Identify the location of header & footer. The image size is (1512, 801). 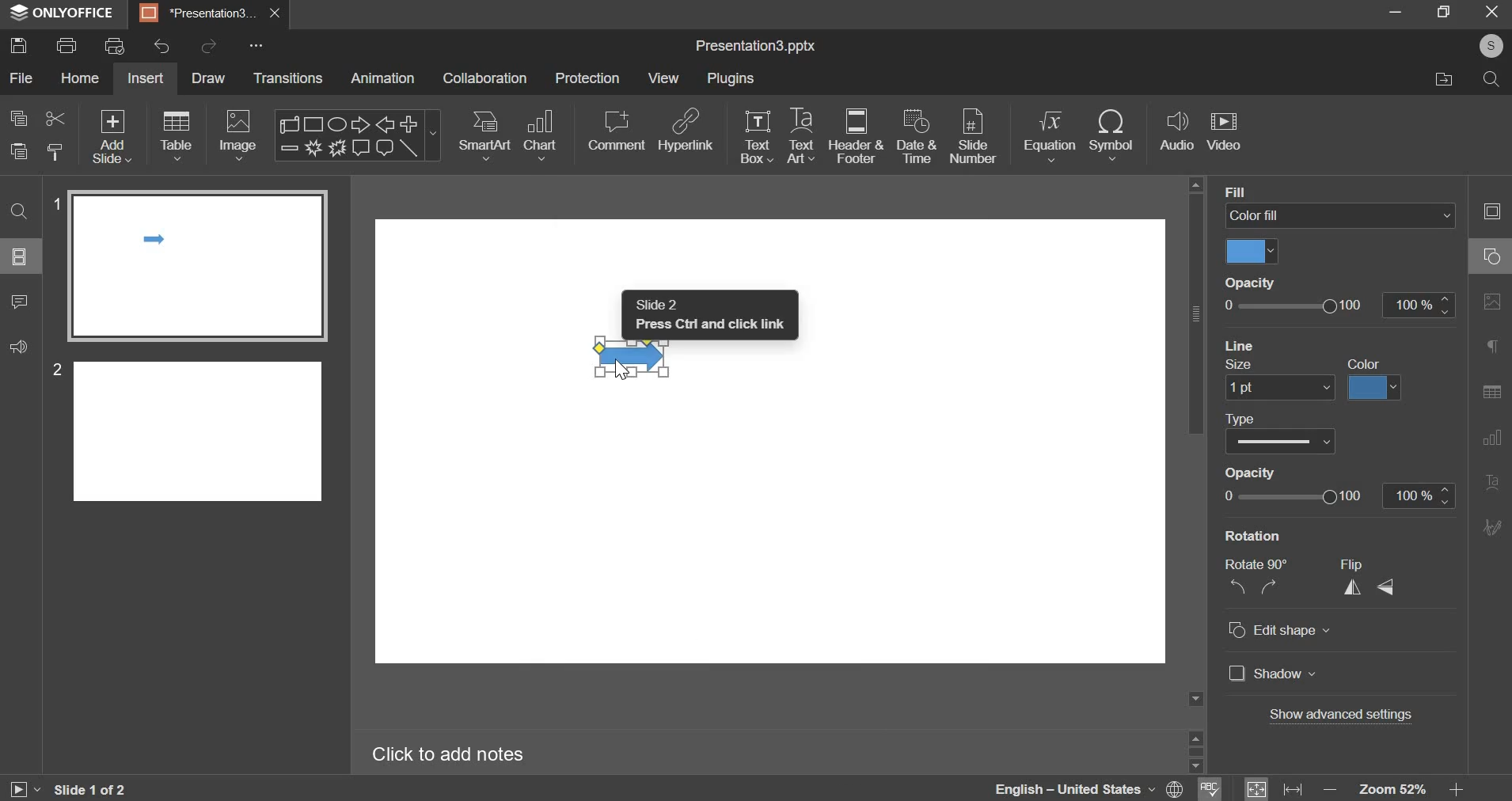
(857, 135).